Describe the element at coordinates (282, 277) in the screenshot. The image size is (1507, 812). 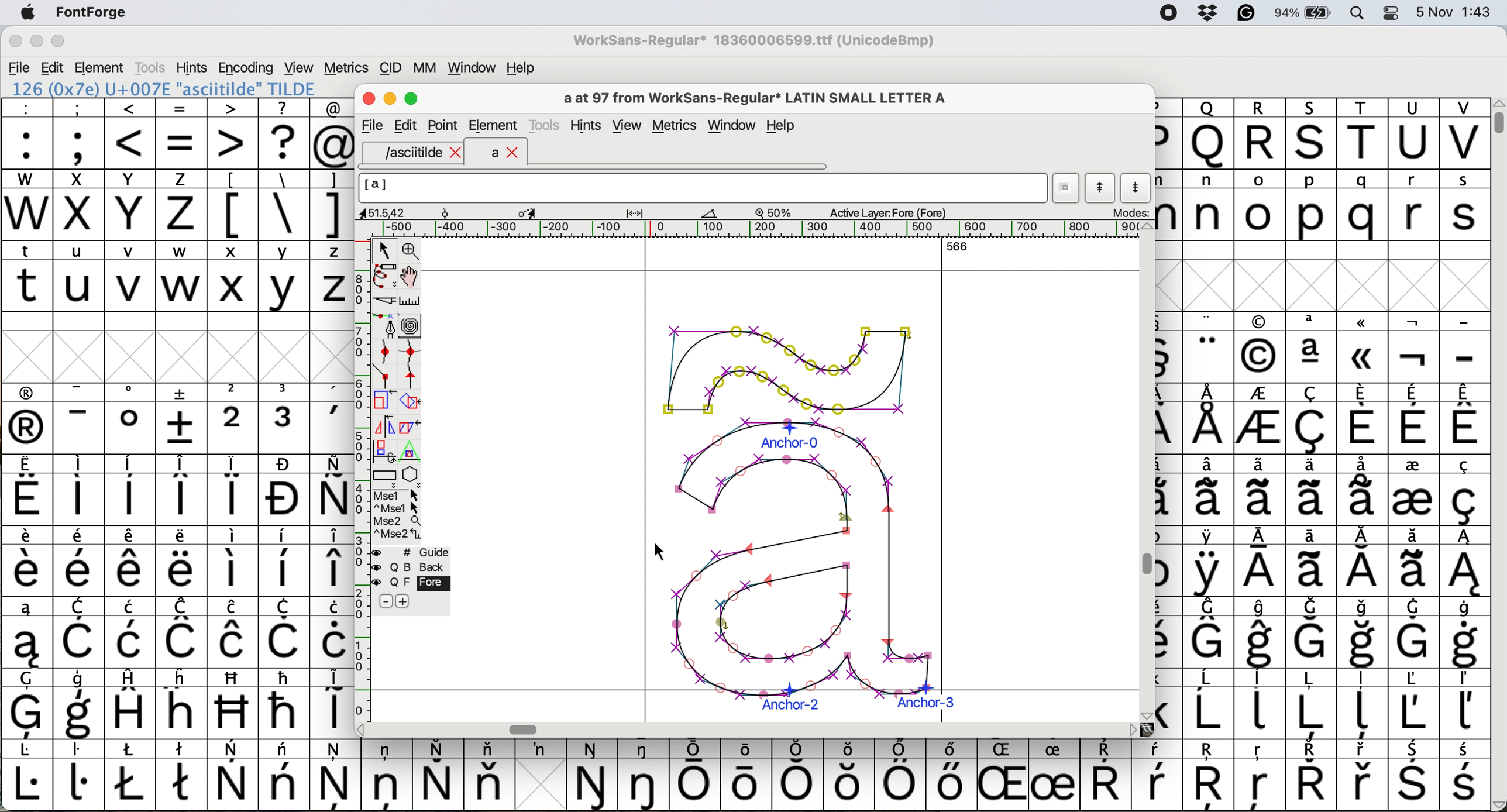
I see `y` at that location.